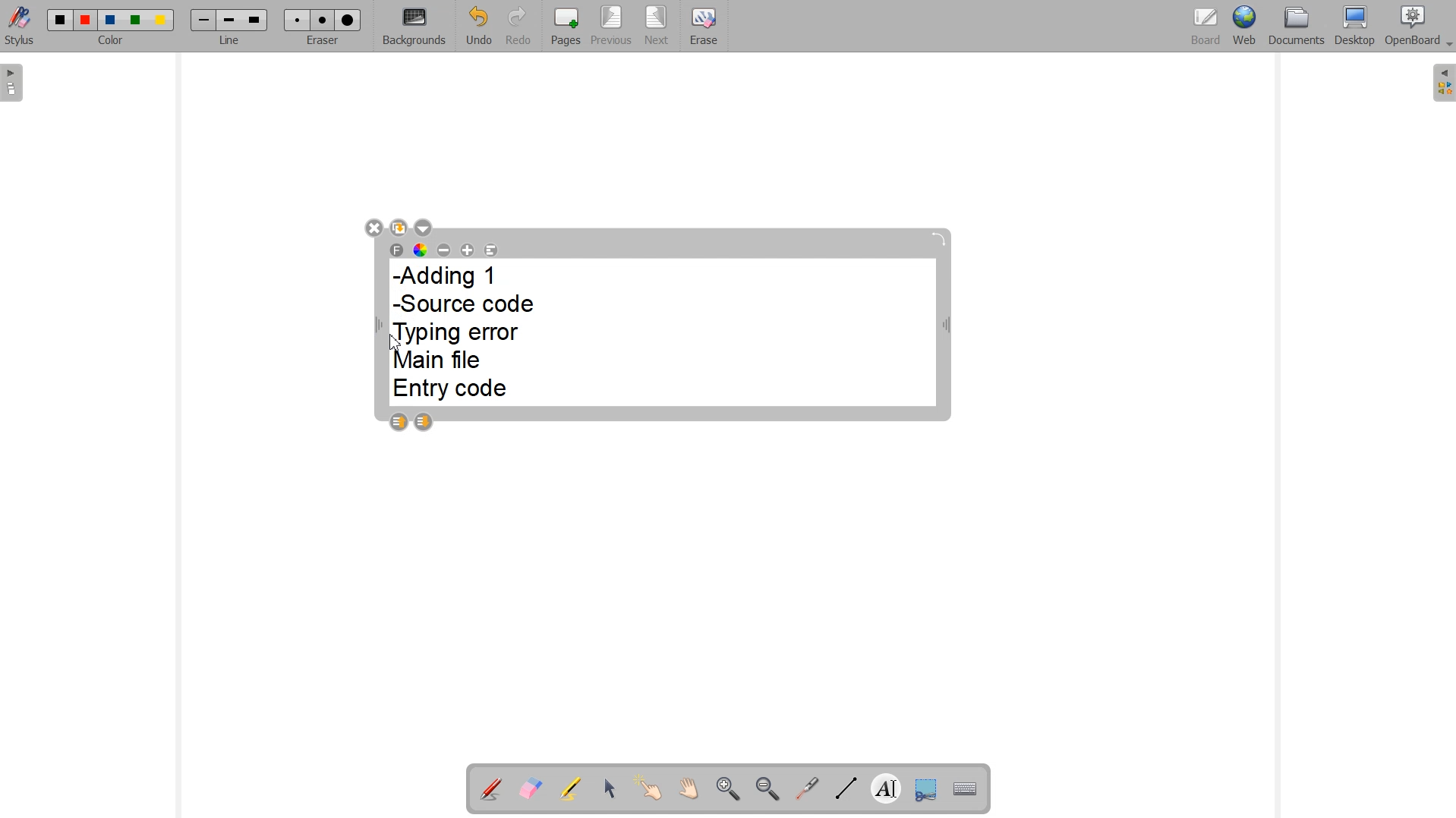 The height and width of the screenshot is (818, 1456). Describe the element at coordinates (87, 20) in the screenshot. I see `Color 2` at that location.